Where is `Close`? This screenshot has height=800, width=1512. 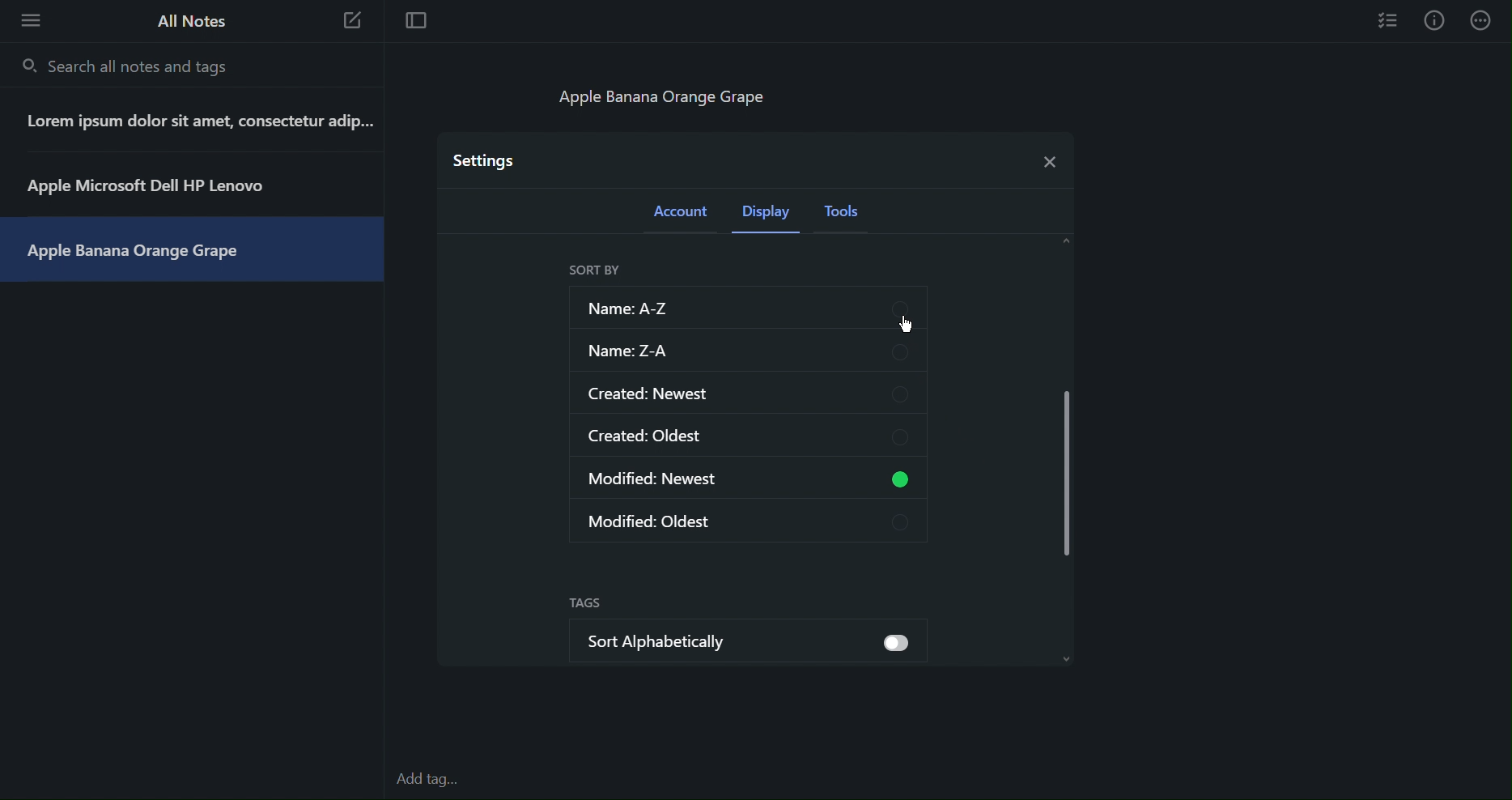
Close is located at coordinates (1047, 158).